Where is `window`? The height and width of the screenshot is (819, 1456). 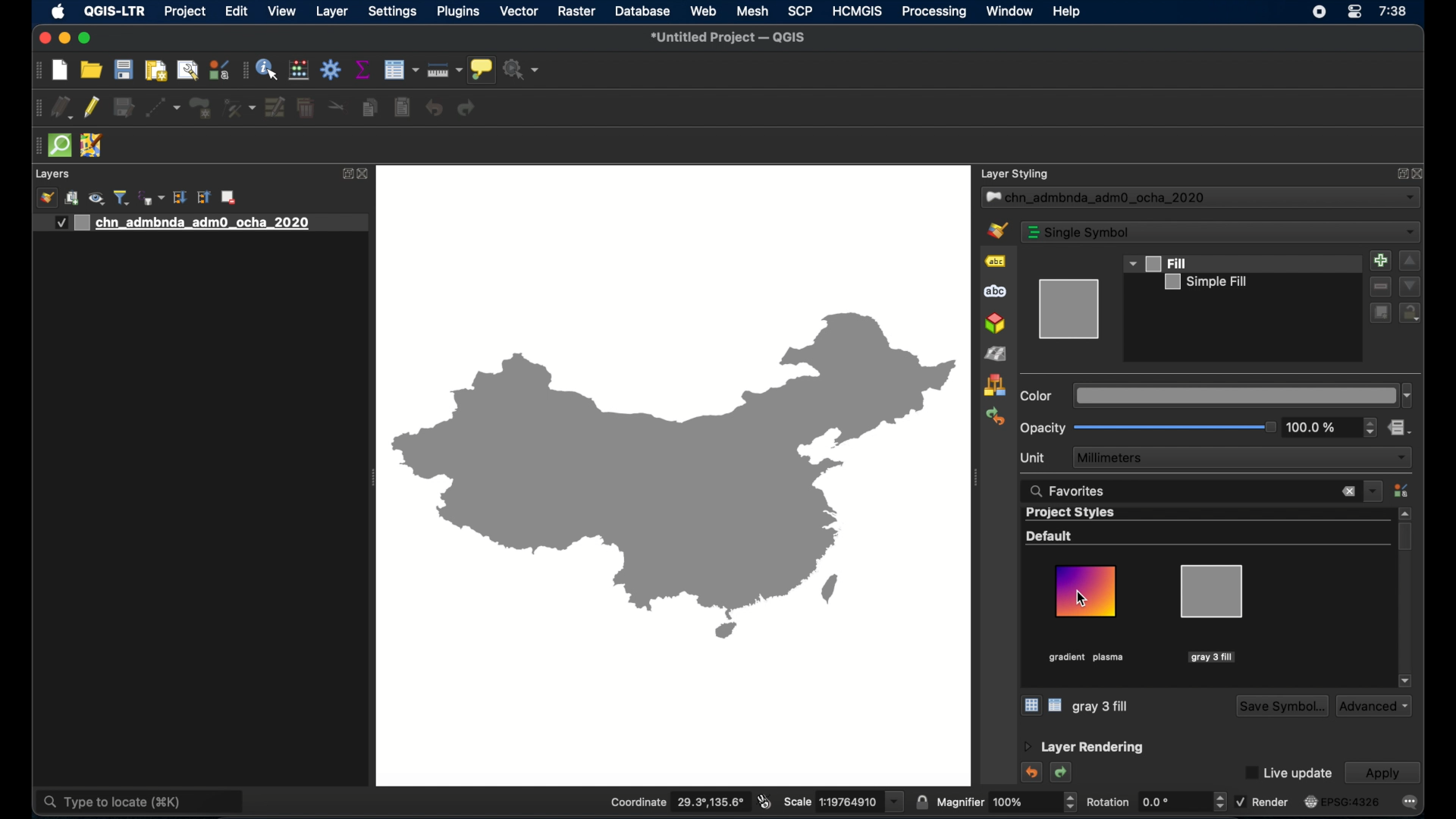 window is located at coordinates (1011, 11).